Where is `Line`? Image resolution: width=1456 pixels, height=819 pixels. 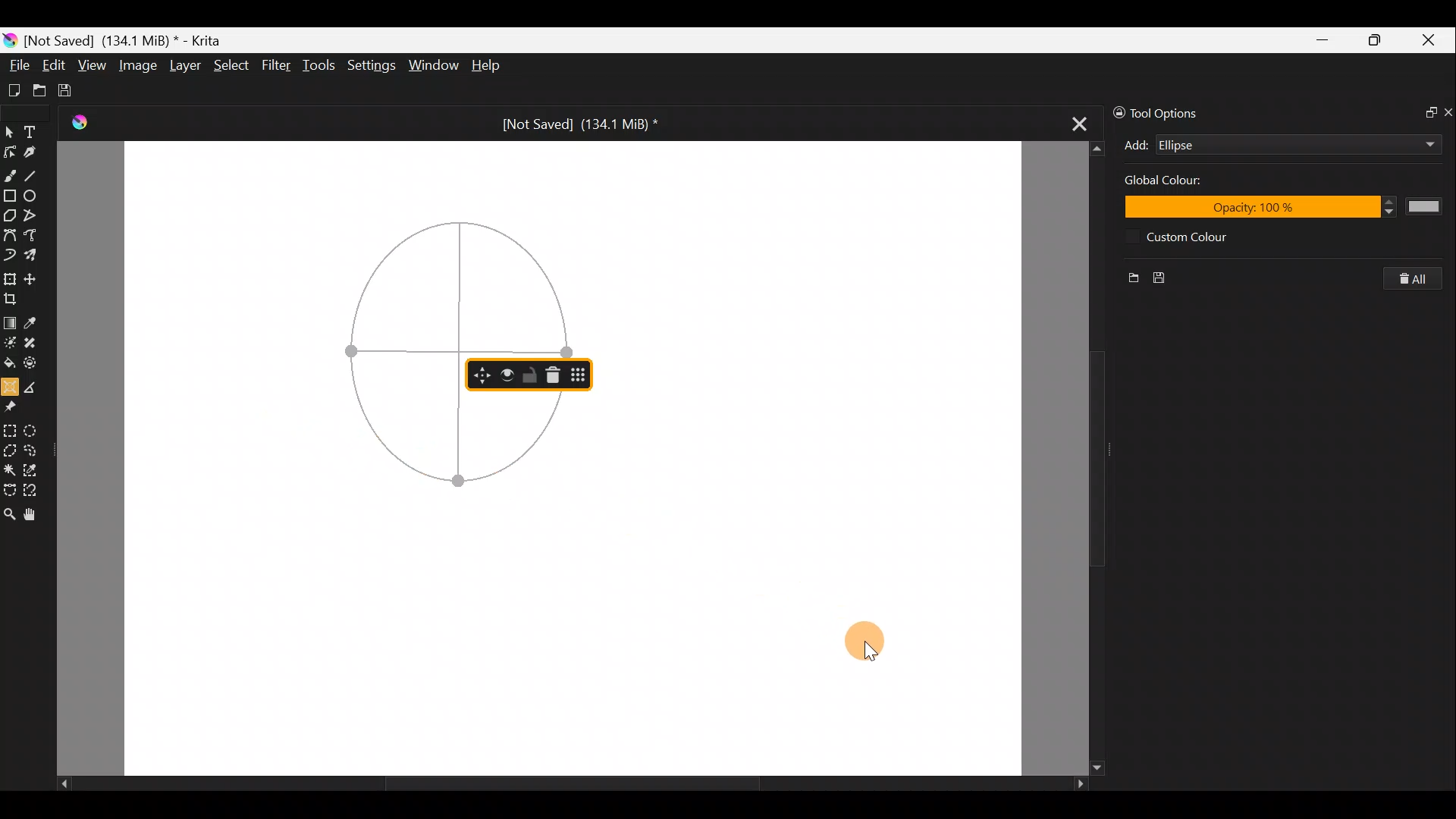 Line is located at coordinates (37, 175).